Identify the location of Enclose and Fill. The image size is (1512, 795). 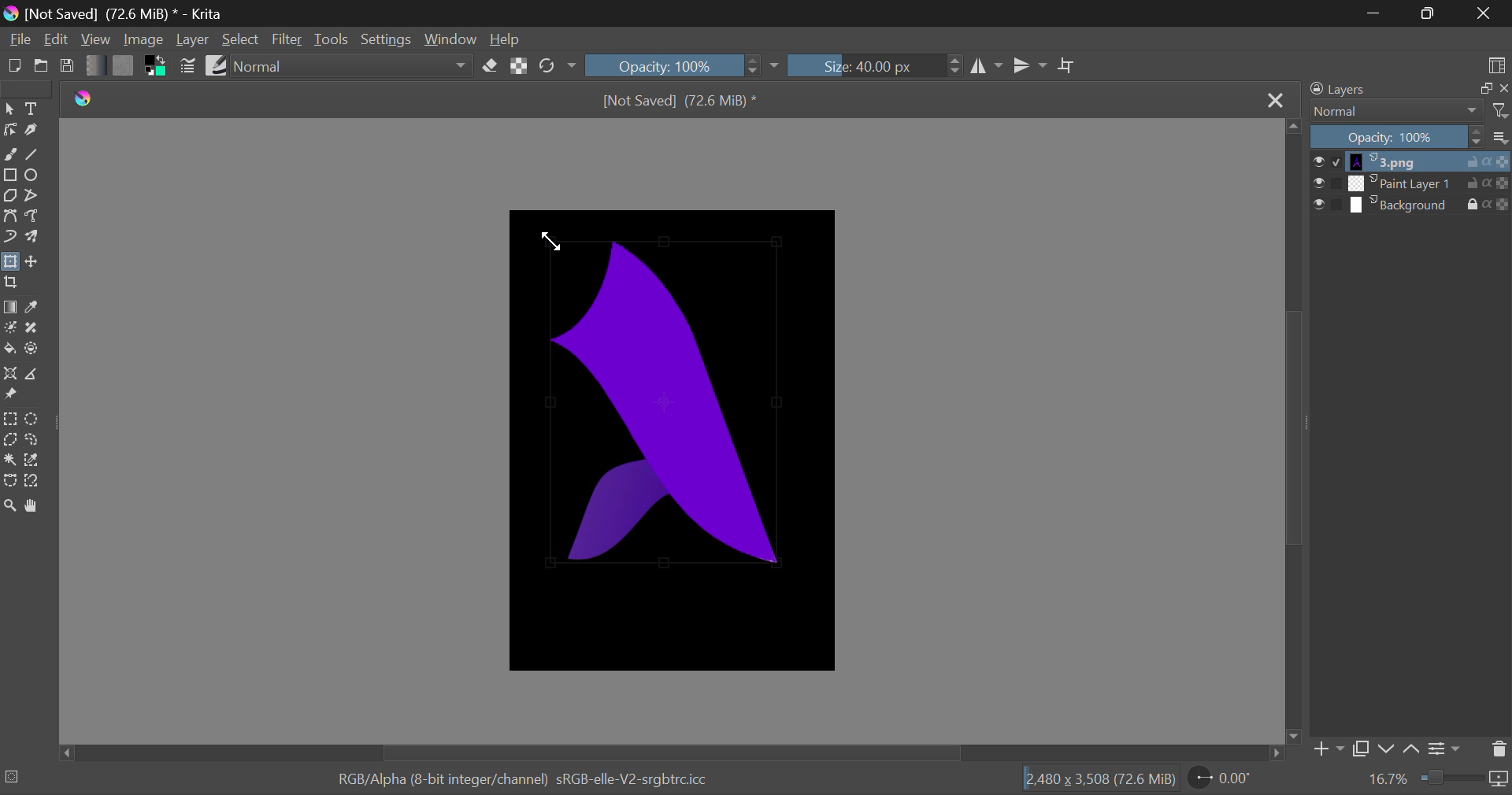
(36, 351).